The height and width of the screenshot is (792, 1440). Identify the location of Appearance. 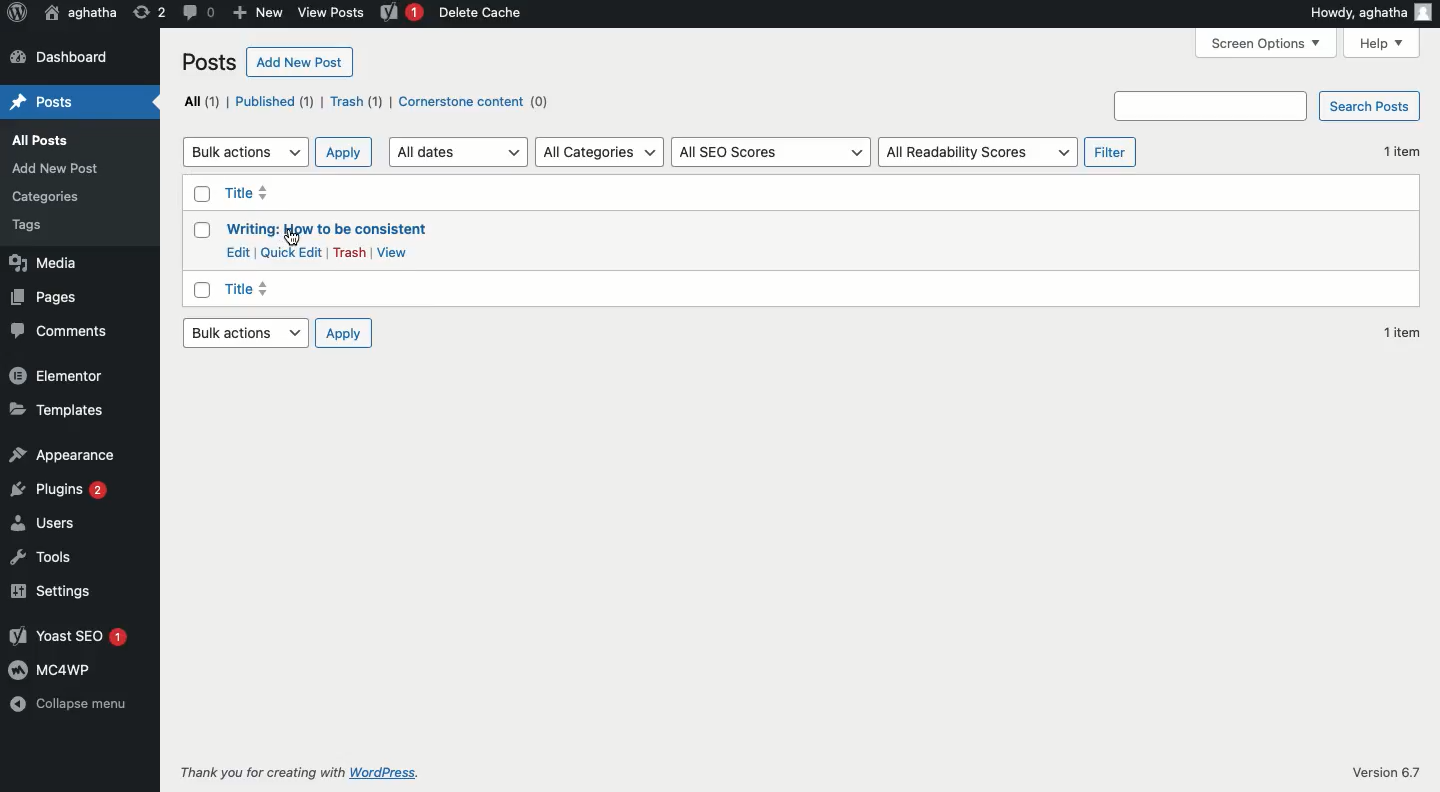
(66, 453).